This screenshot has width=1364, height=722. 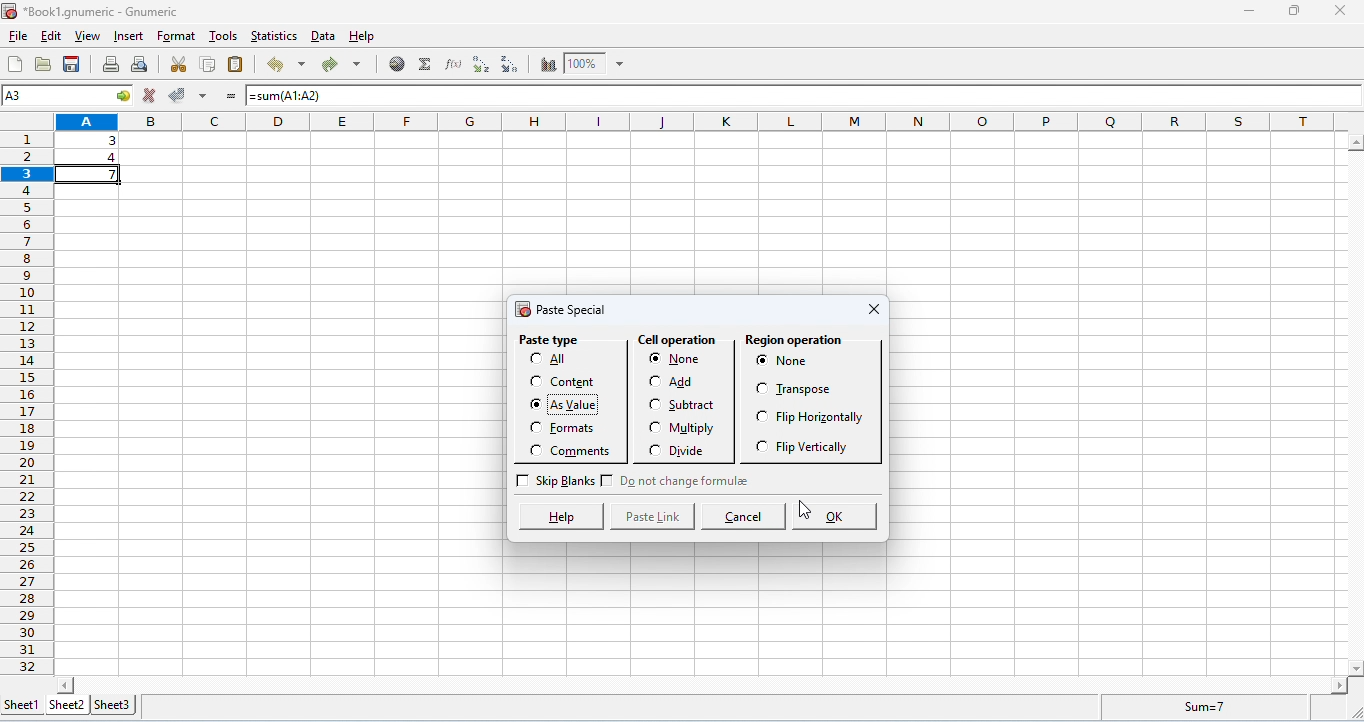 I want to click on print preview, so click(x=140, y=65).